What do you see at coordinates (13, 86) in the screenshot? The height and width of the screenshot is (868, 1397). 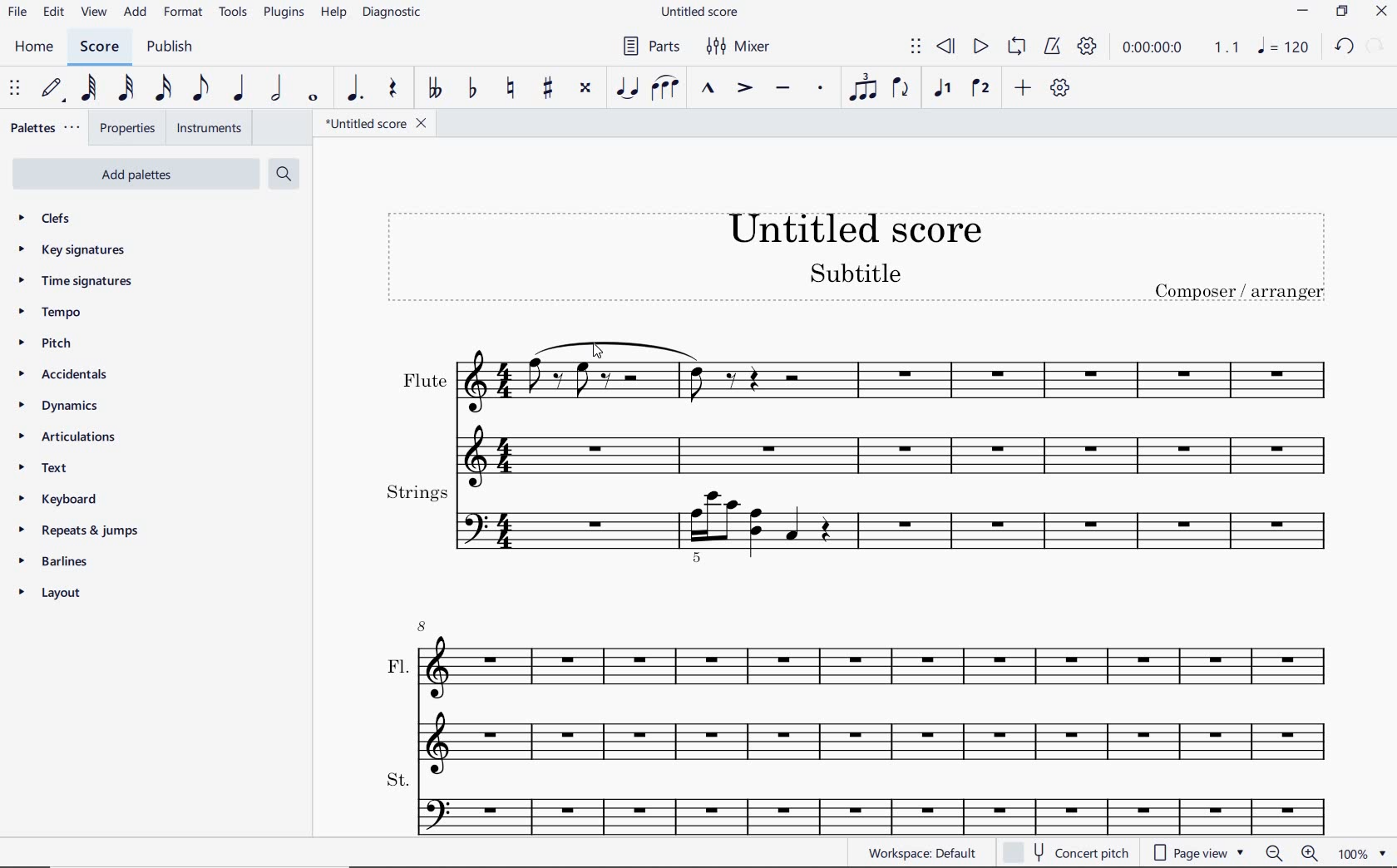 I see `SELECT TO MOVE` at bounding box center [13, 86].